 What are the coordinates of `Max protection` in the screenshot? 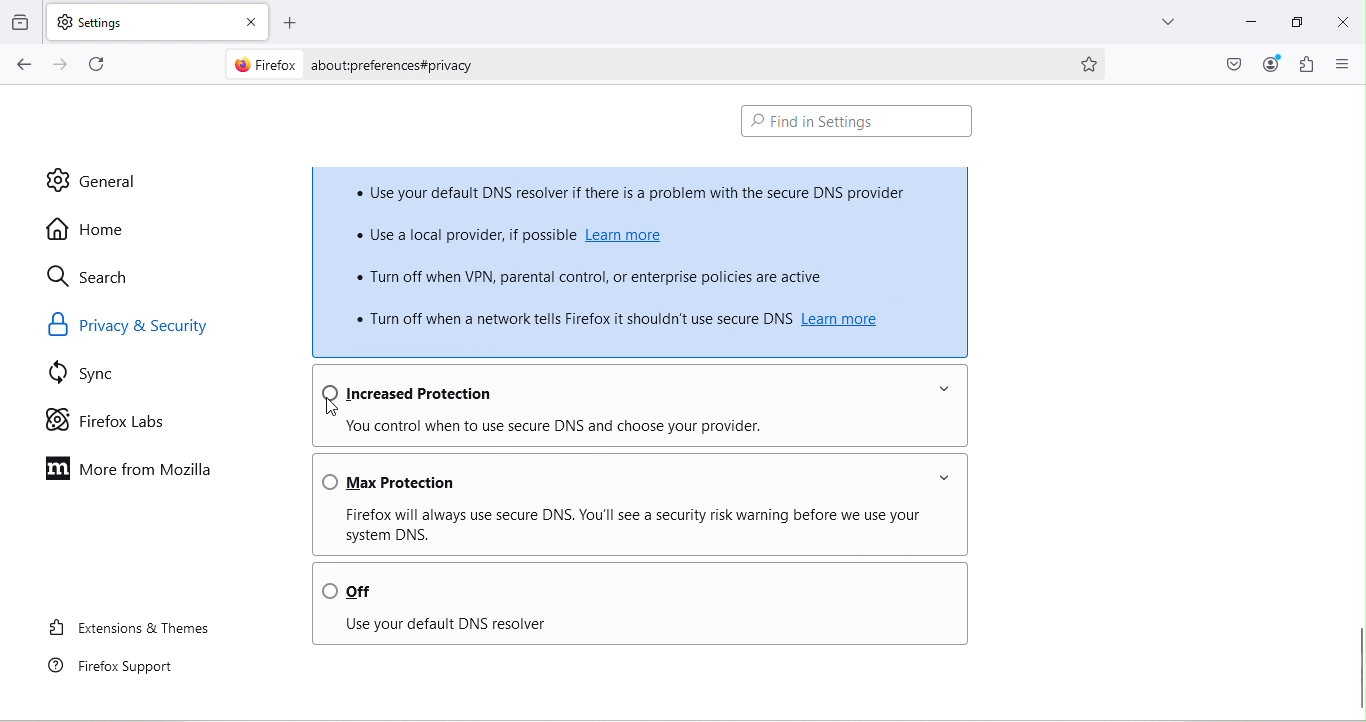 It's located at (638, 475).